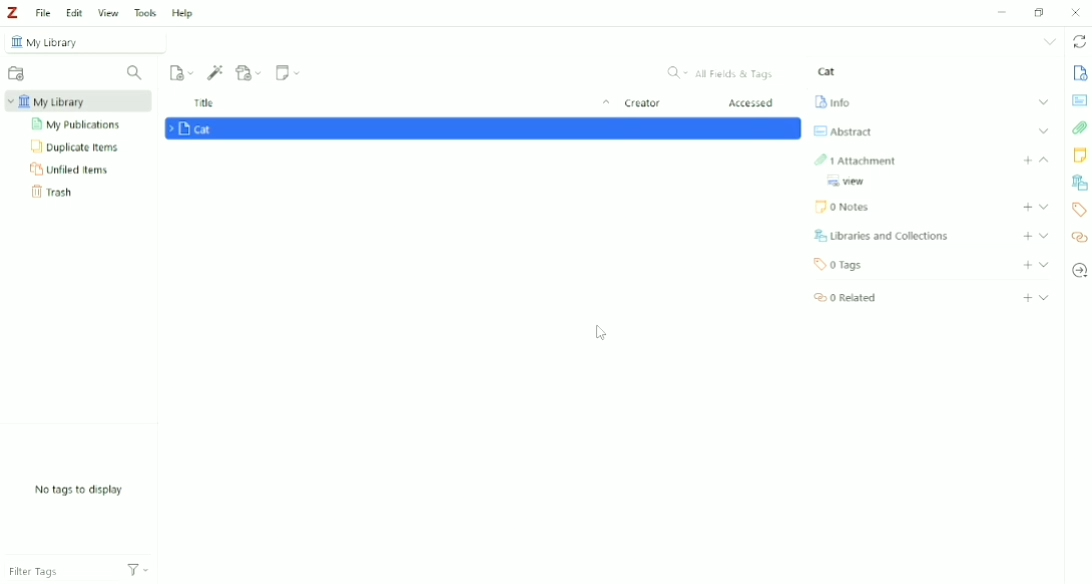 This screenshot has width=1092, height=584. What do you see at coordinates (1080, 129) in the screenshot?
I see `Attachments` at bounding box center [1080, 129].